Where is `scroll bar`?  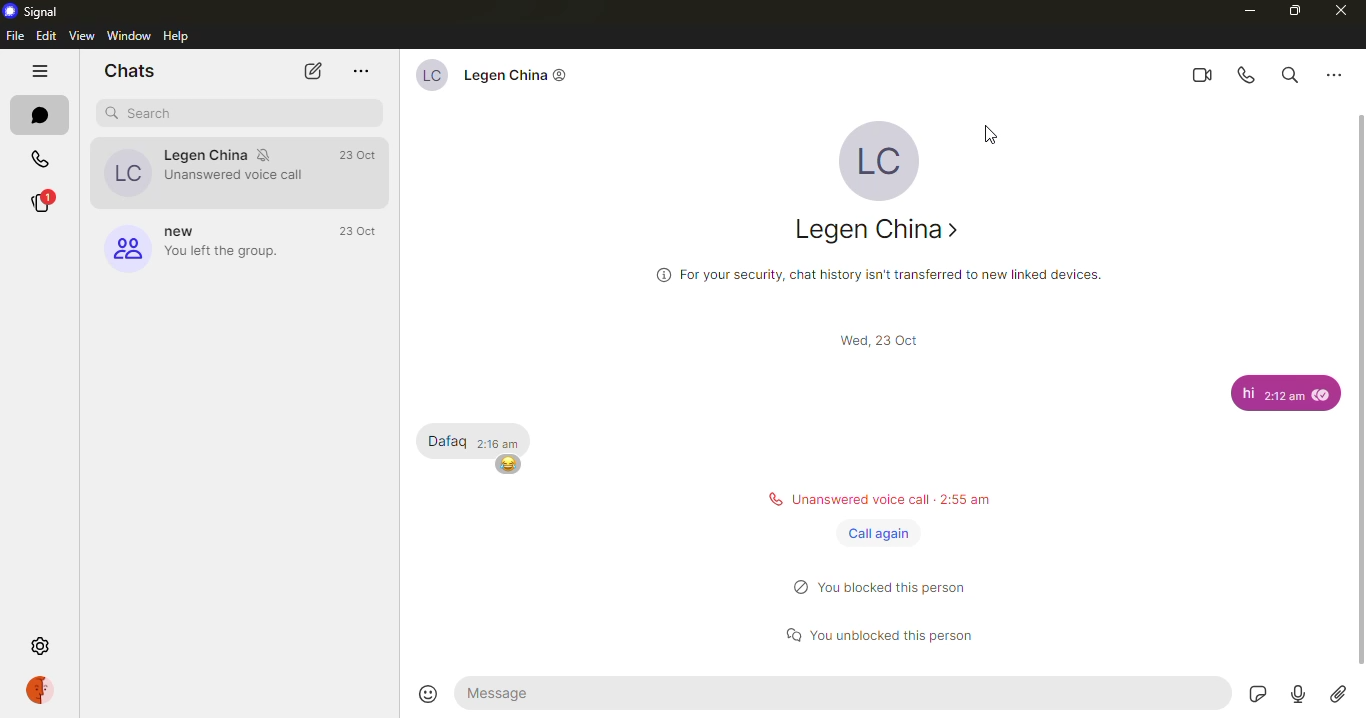
scroll bar is located at coordinates (1357, 388).